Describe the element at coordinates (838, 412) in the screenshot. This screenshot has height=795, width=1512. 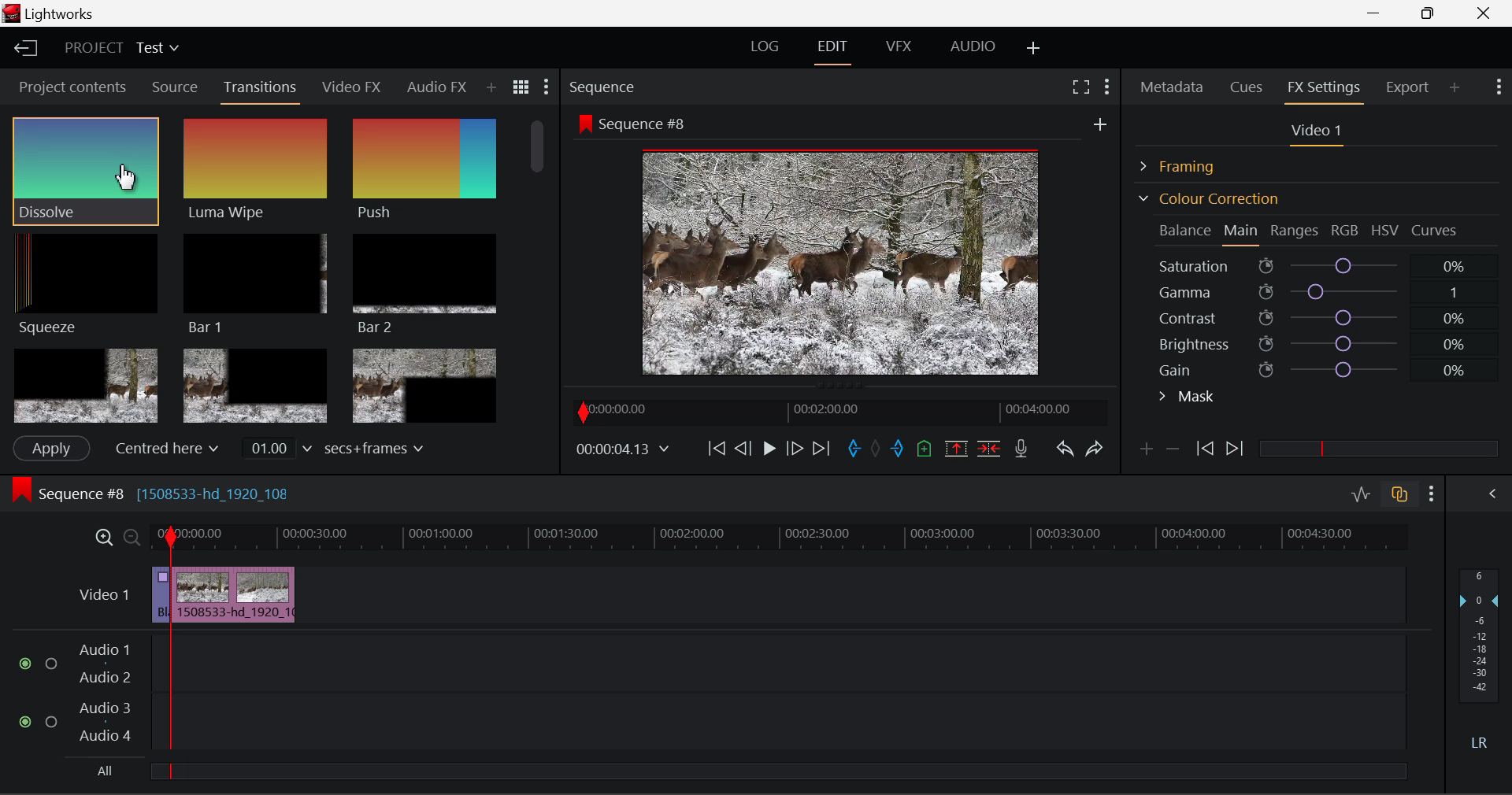
I see `Project Timeline Navigator` at that location.